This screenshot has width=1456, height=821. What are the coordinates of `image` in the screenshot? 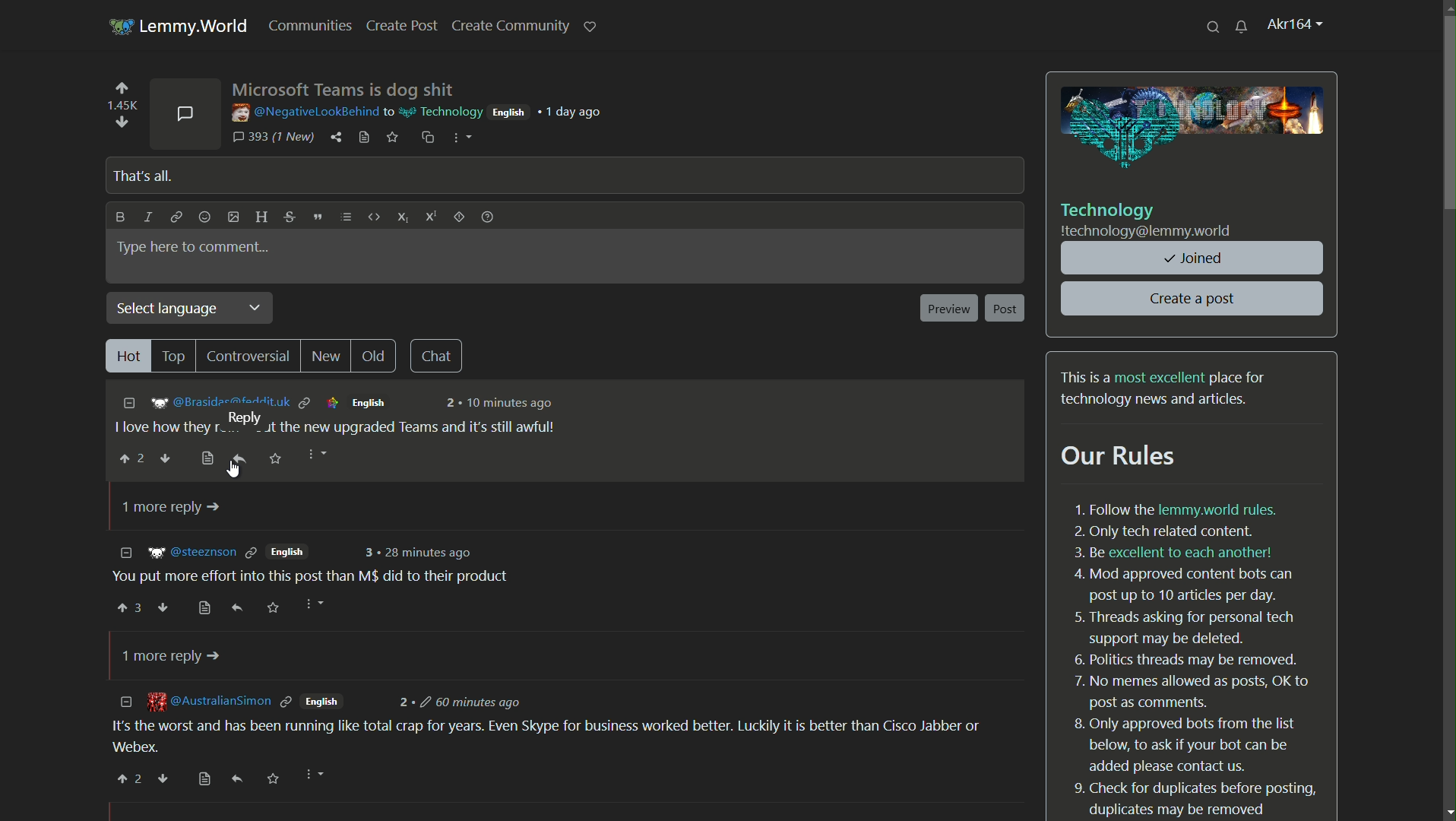 It's located at (1194, 128).